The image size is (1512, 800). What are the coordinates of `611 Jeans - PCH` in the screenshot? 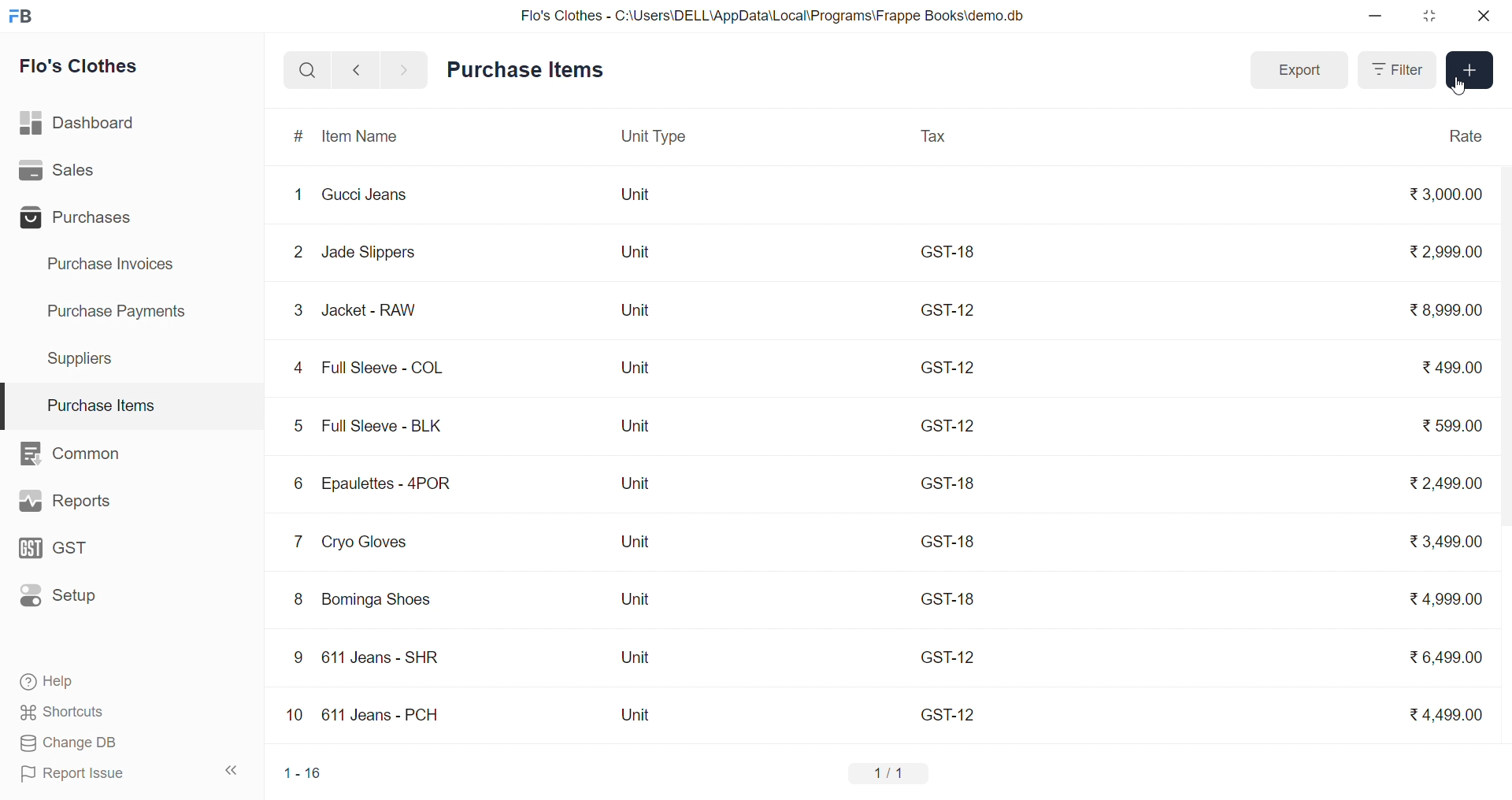 It's located at (388, 715).